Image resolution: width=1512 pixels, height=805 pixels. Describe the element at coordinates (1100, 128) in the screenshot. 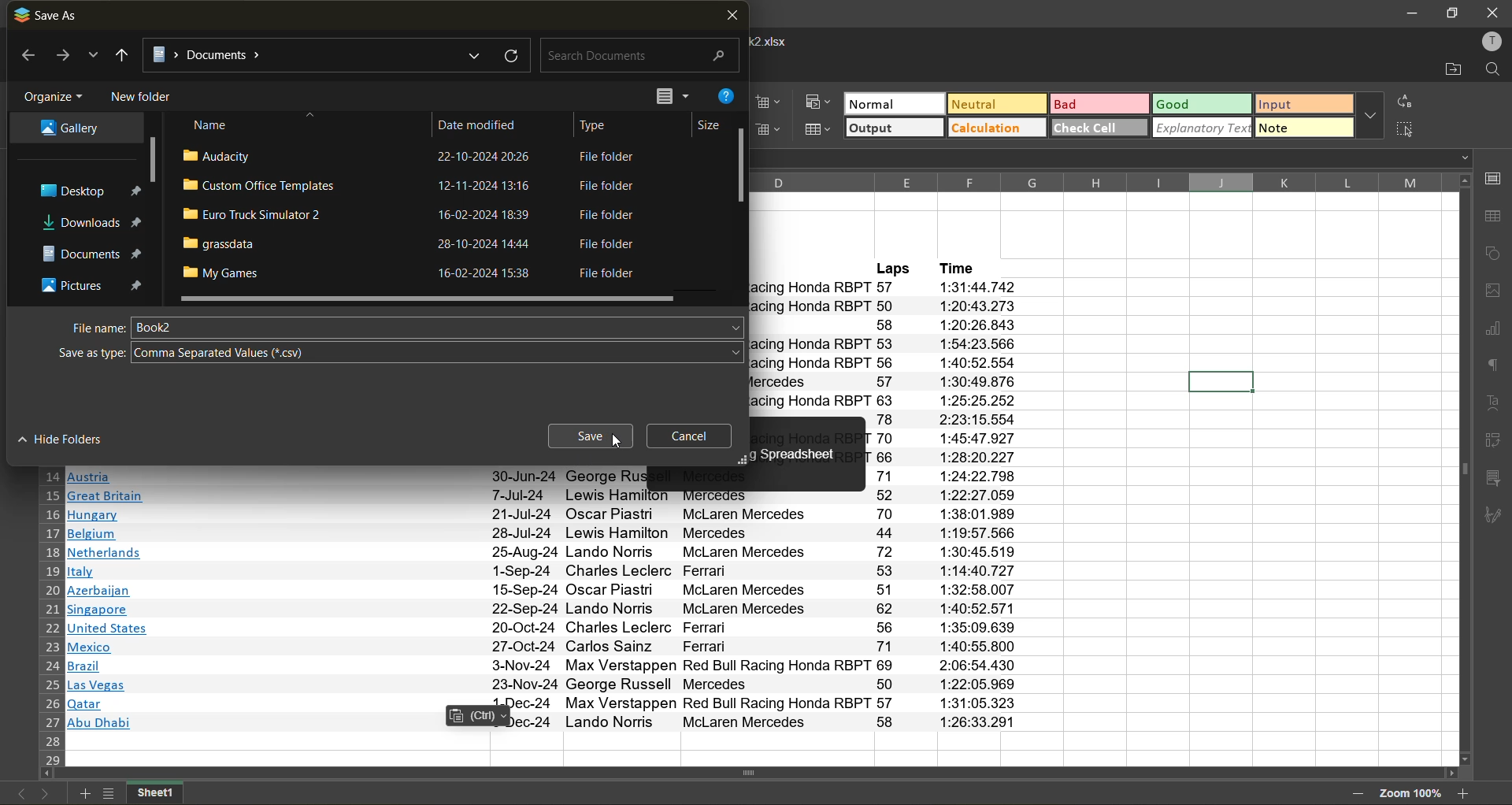

I see `check cell` at that location.